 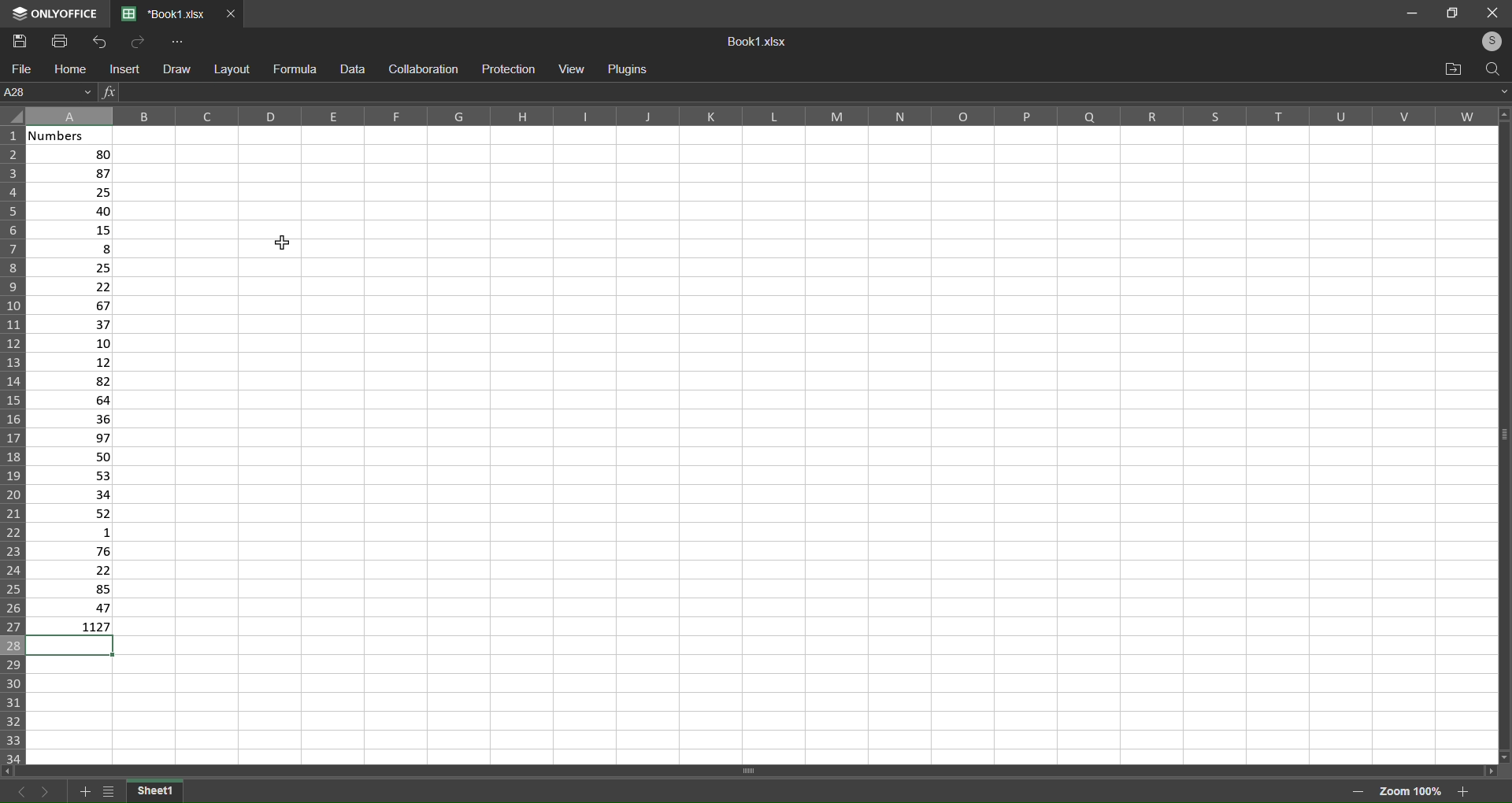 What do you see at coordinates (139, 42) in the screenshot?
I see `Redo` at bounding box center [139, 42].